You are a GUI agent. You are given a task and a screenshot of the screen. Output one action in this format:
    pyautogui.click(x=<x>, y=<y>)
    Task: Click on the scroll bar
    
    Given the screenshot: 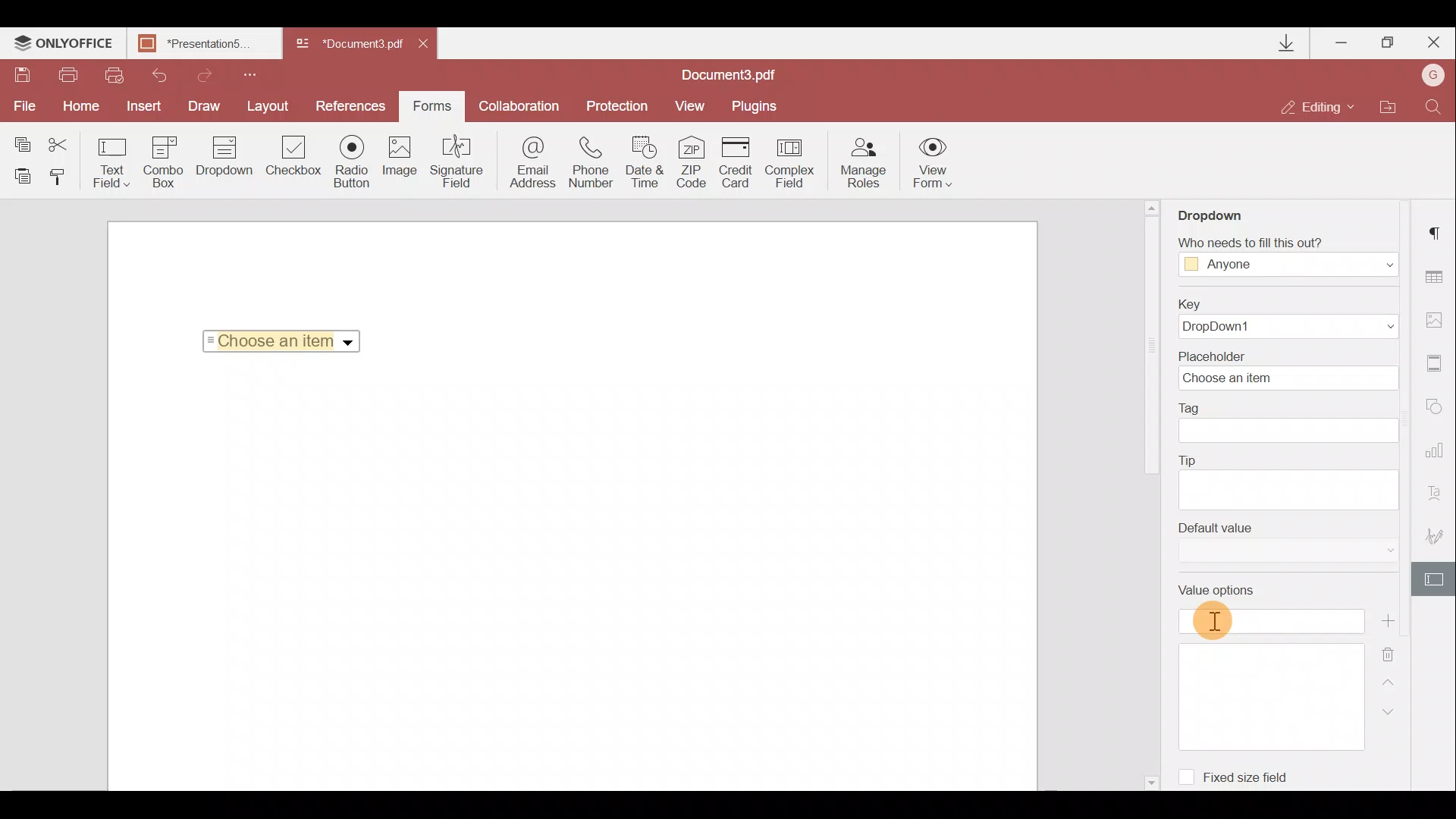 What is the action you would take?
    pyautogui.click(x=1144, y=339)
    